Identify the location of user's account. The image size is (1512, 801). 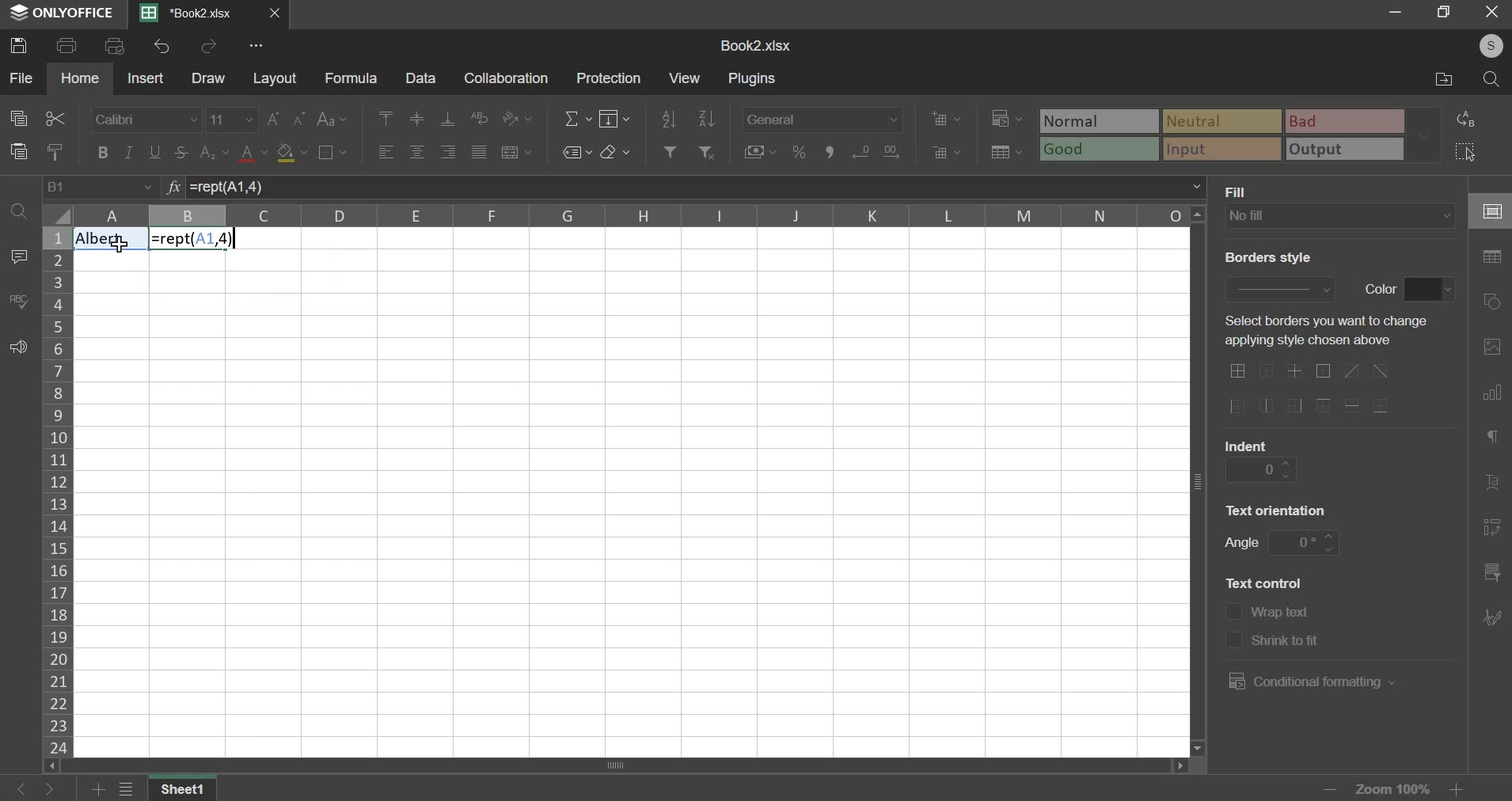
(1488, 44).